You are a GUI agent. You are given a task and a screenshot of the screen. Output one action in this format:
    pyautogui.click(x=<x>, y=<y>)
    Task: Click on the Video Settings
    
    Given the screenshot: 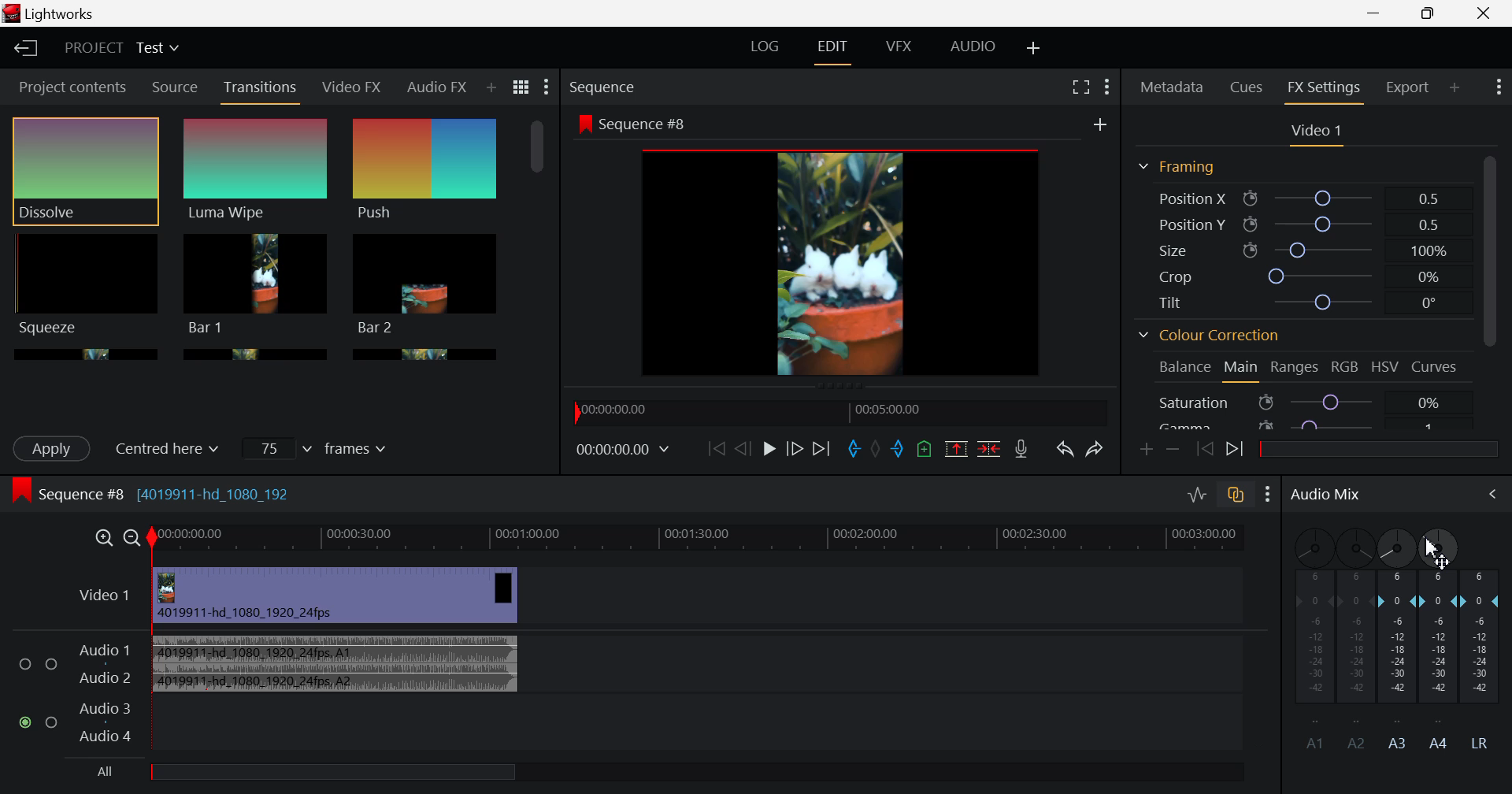 What is the action you would take?
    pyautogui.click(x=1317, y=135)
    